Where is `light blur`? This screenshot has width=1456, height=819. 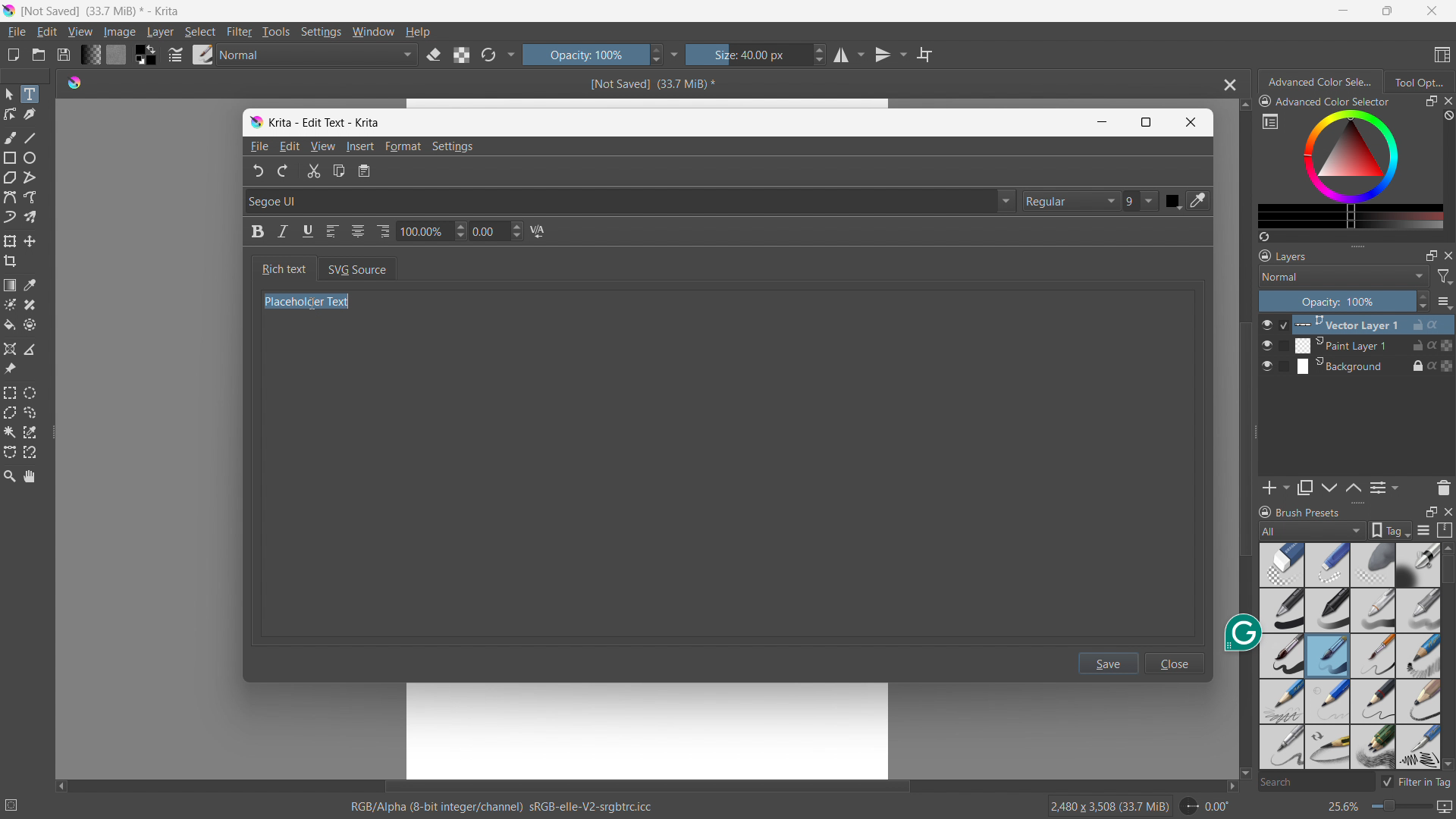 light blur is located at coordinates (1327, 565).